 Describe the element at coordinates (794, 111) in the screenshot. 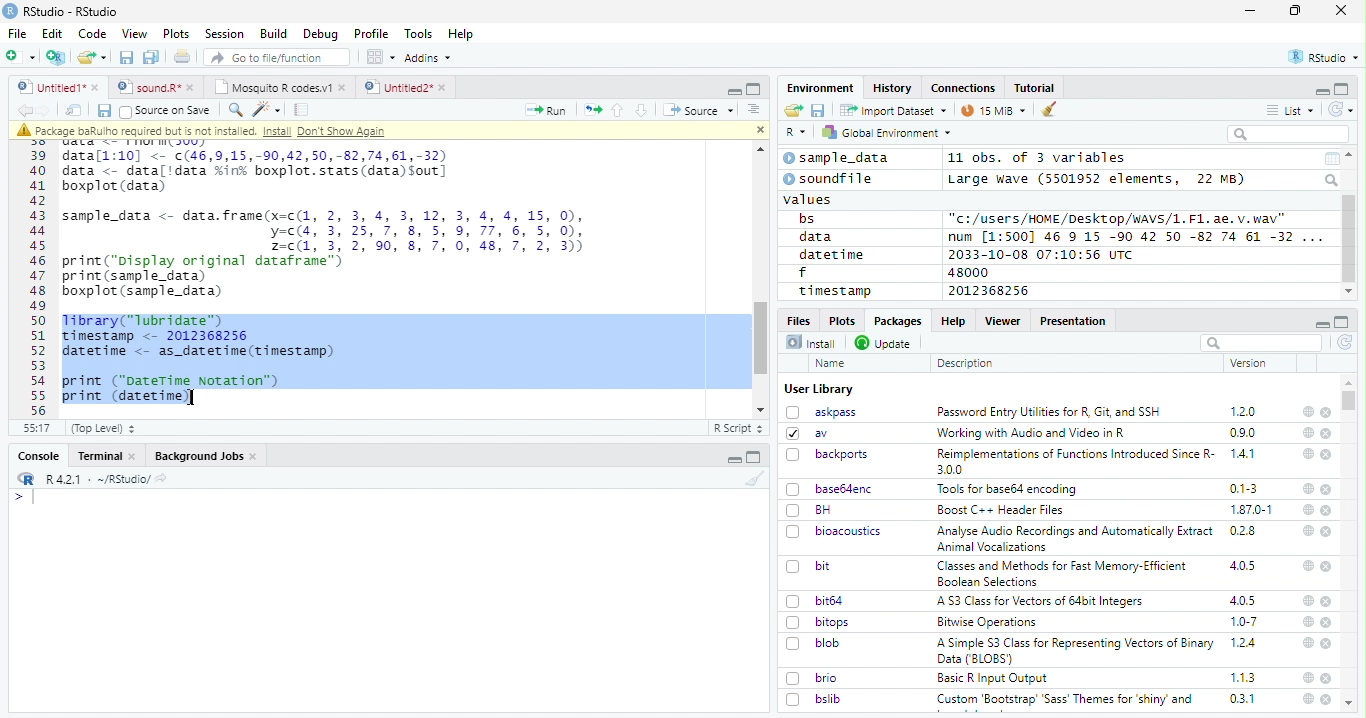

I see `Load workspace` at that location.